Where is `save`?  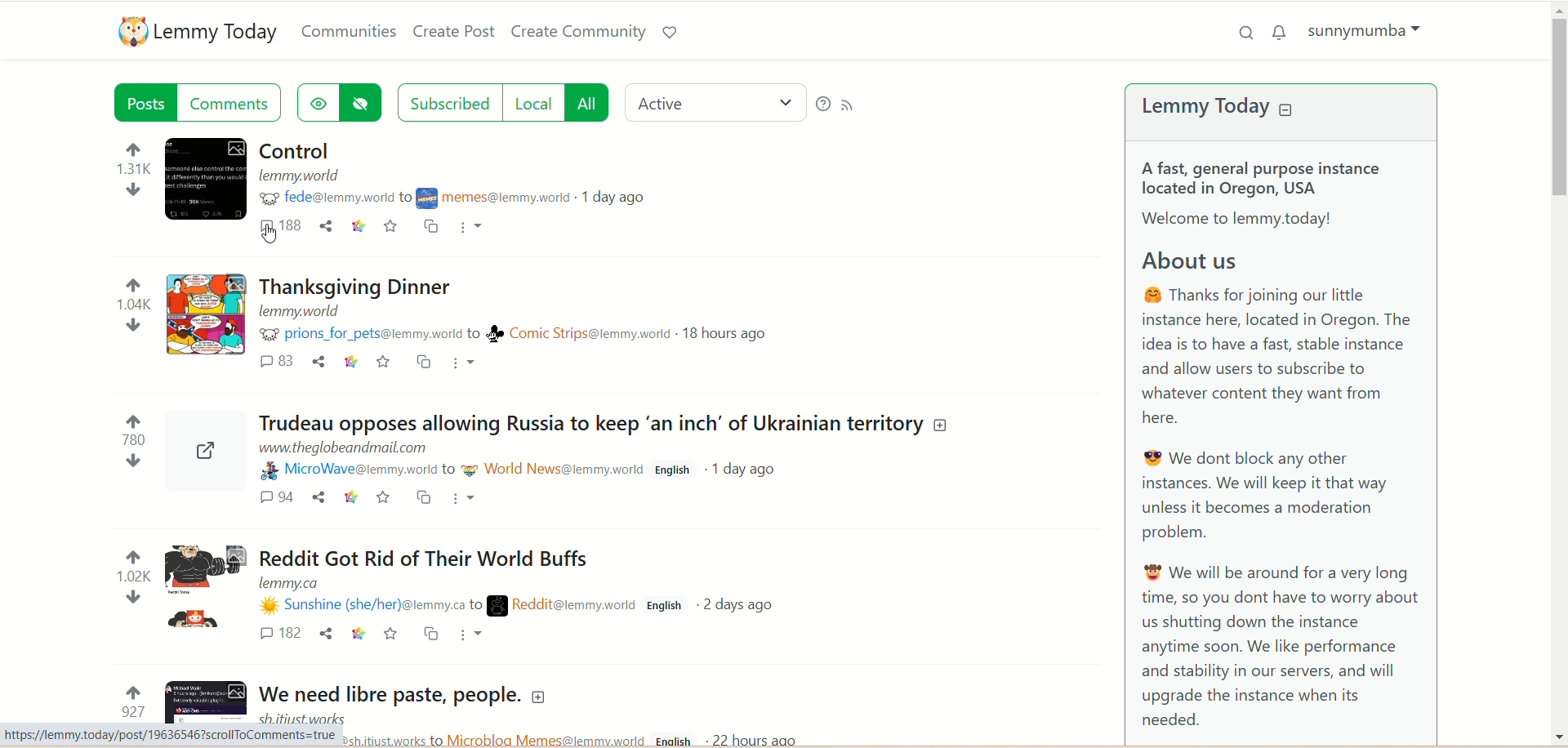 save is located at coordinates (389, 358).